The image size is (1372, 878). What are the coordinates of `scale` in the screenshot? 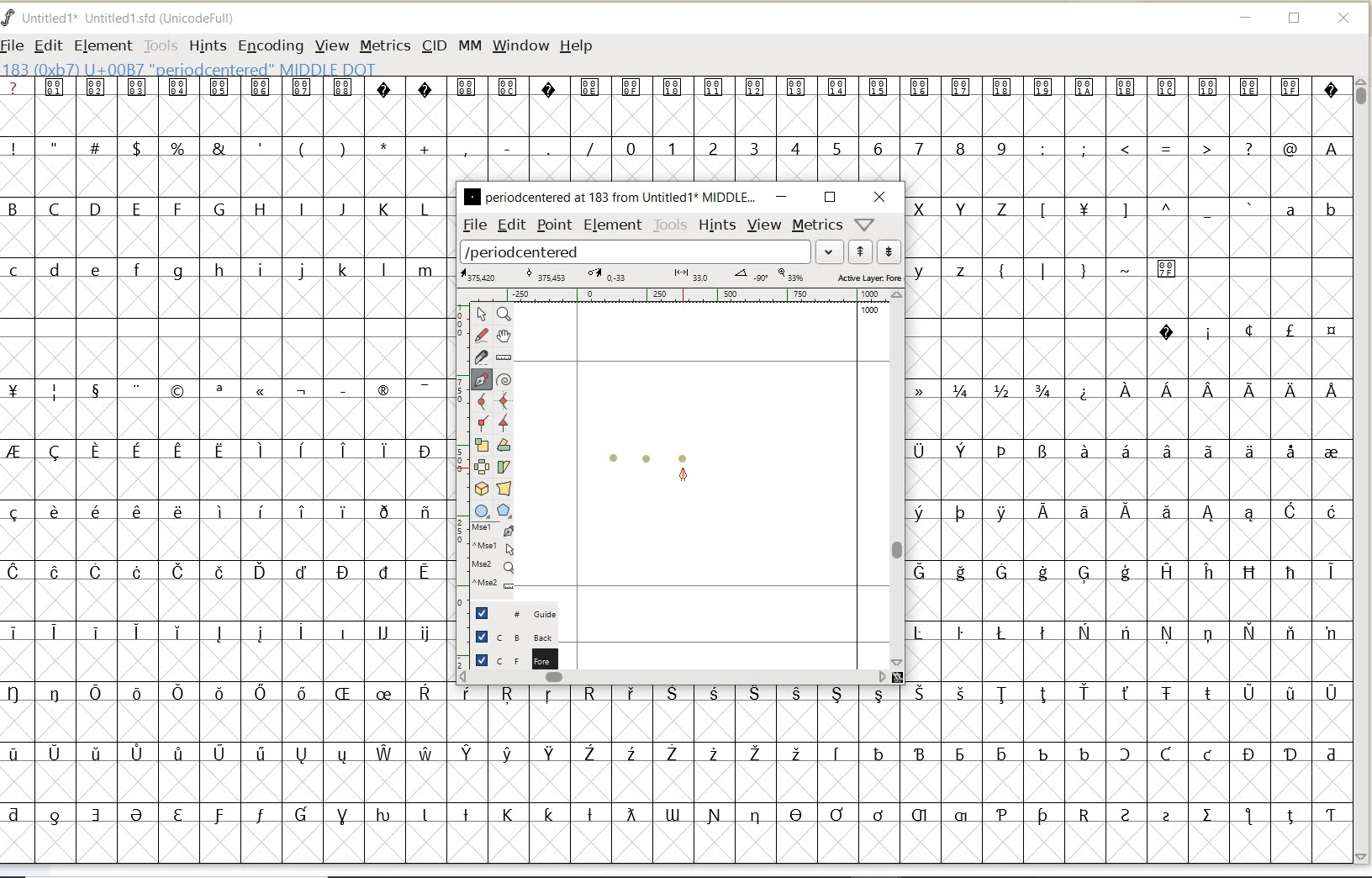 It's located at (458, 443).